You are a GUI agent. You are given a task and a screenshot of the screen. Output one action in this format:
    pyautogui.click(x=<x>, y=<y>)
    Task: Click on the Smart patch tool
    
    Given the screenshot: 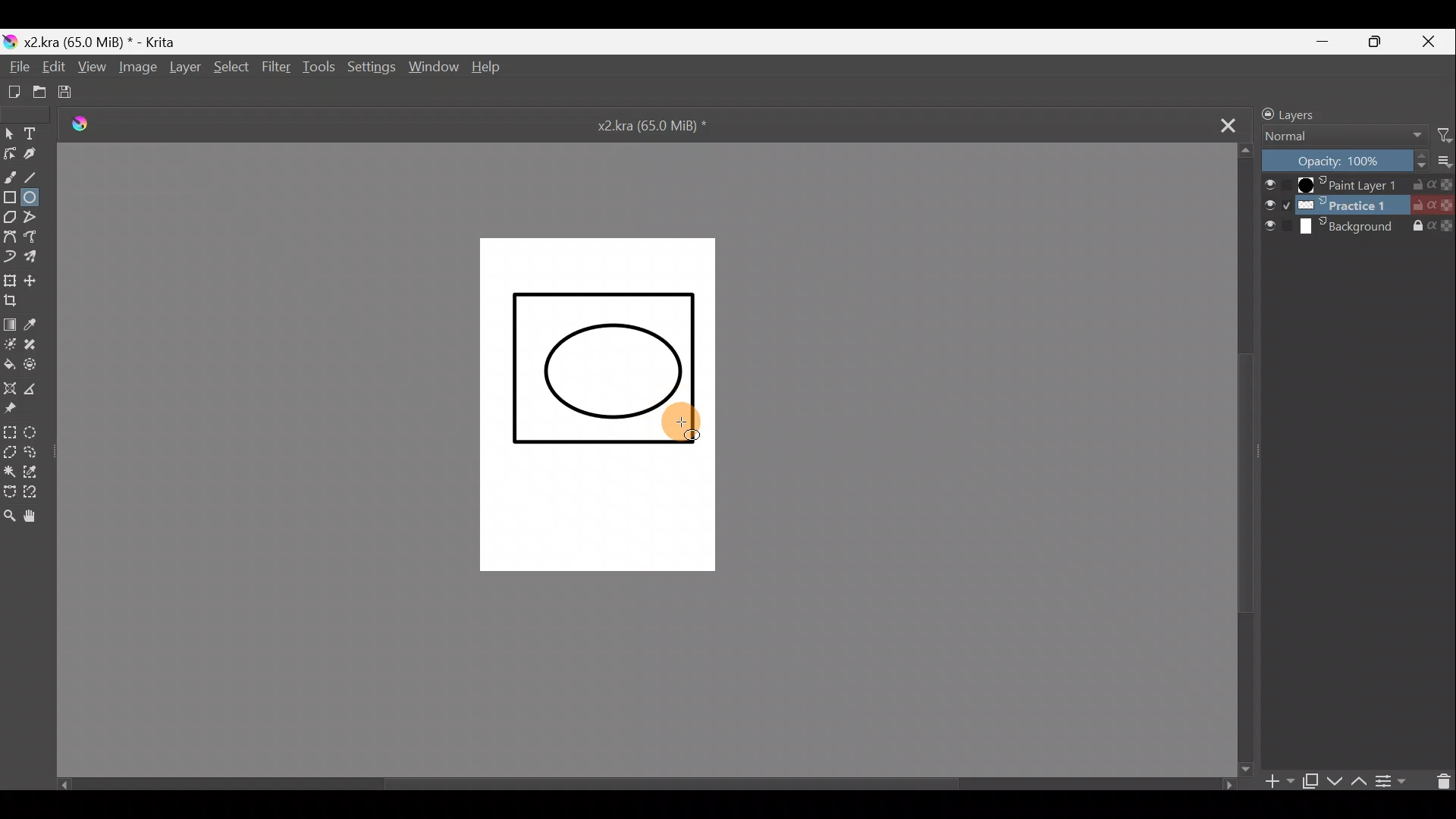 What is the action you would take?
    pyautogui.click(x=35, y=344)
    